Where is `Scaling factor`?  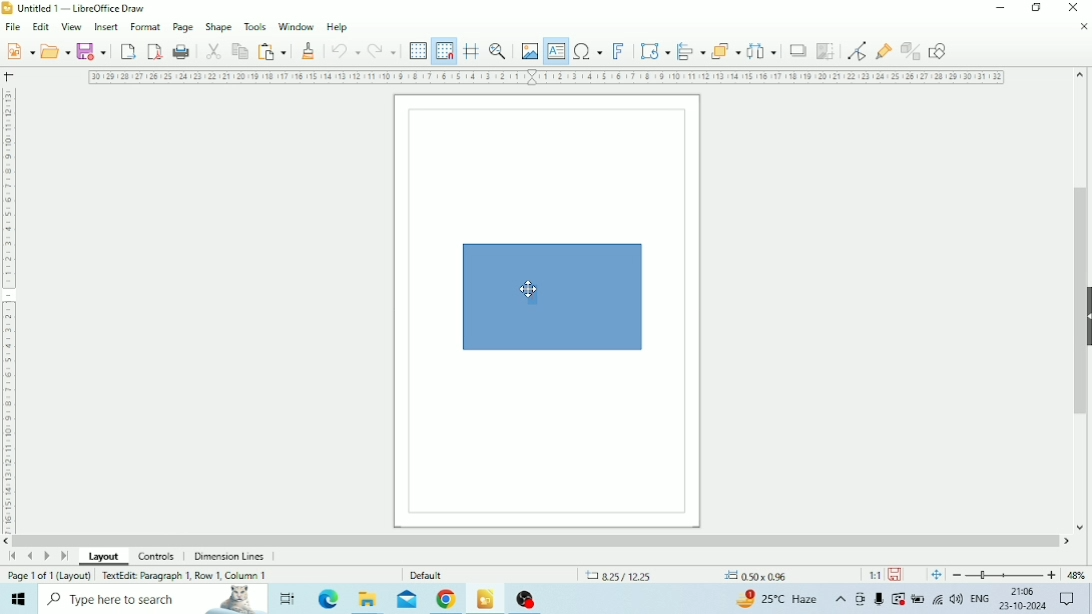
Scaling factor is located at coordinates (873, 574).